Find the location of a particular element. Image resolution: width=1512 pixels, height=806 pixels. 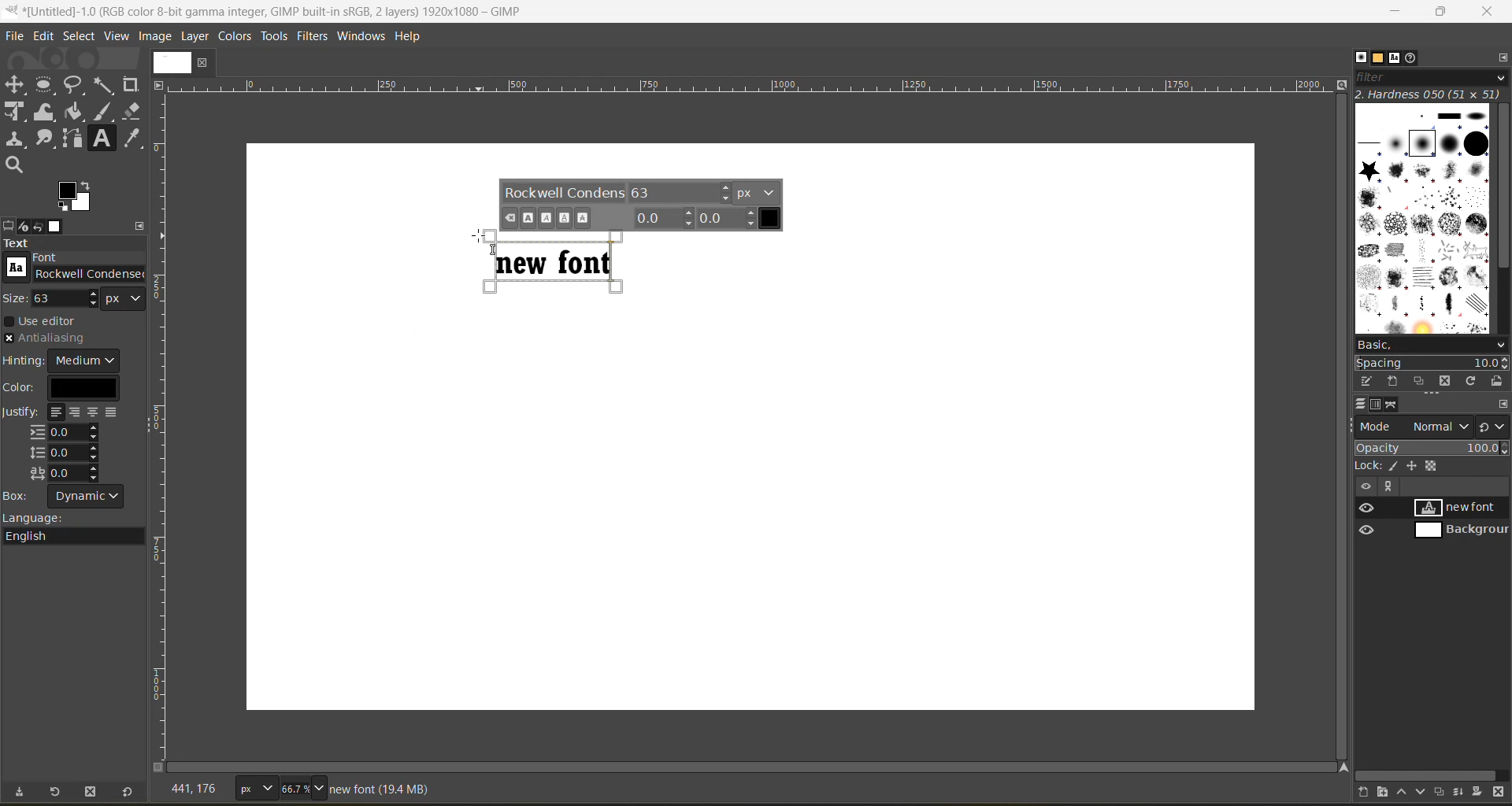

reset tool preset is located at coordinates (128, 793).